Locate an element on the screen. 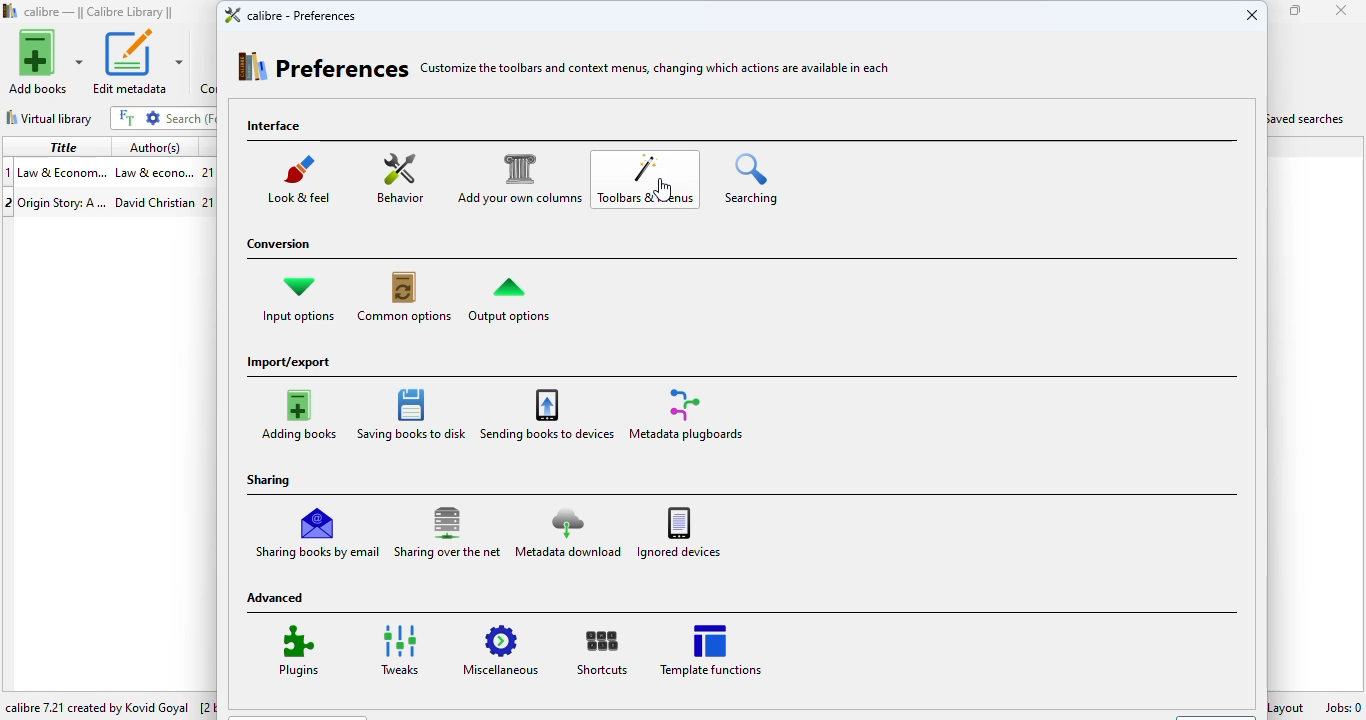 This screenshot has height=720, width=1366. template functions is located at coordinates (710, 649).